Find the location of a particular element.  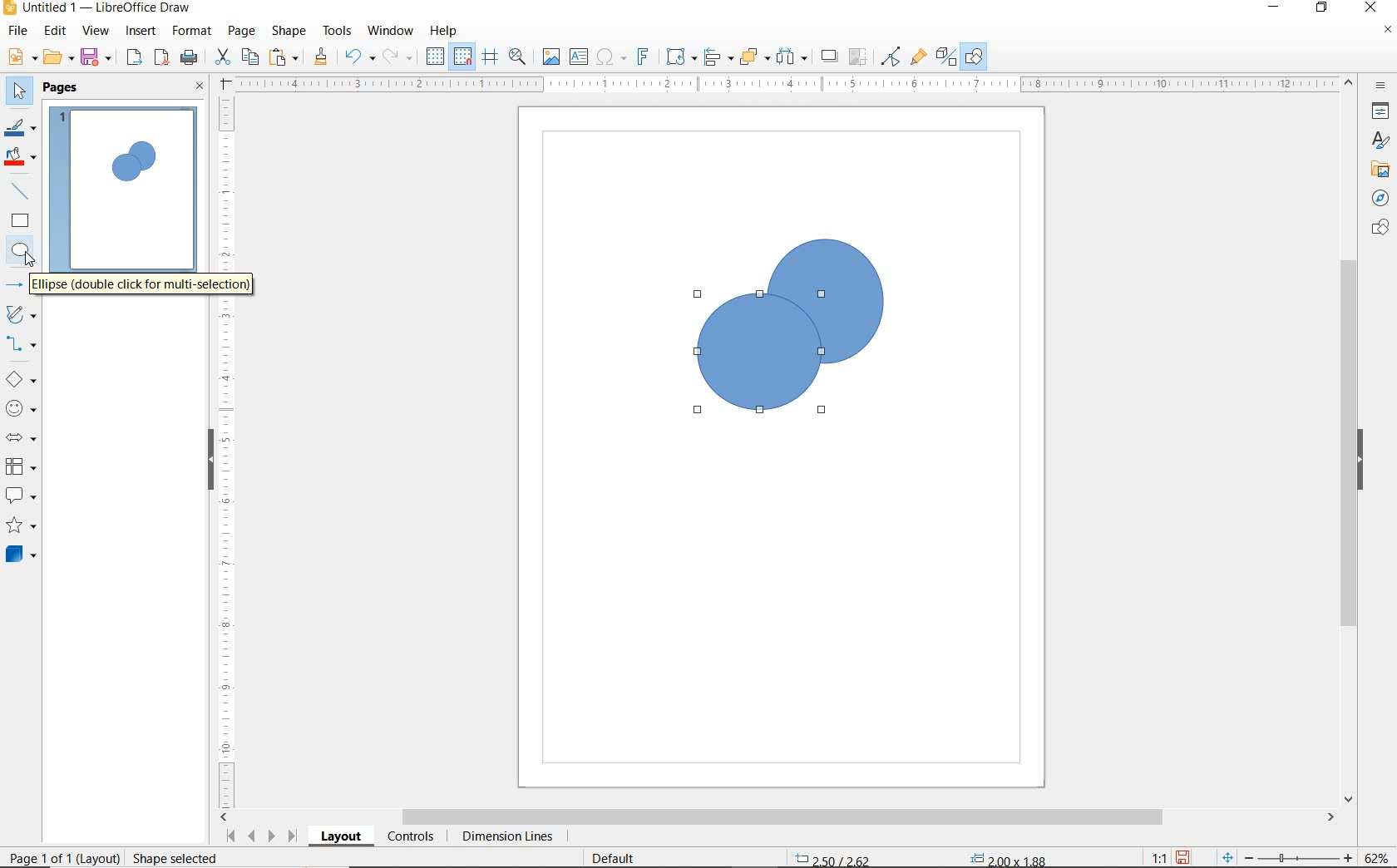

3D OBJECTS is located at coordinates (19, 556).